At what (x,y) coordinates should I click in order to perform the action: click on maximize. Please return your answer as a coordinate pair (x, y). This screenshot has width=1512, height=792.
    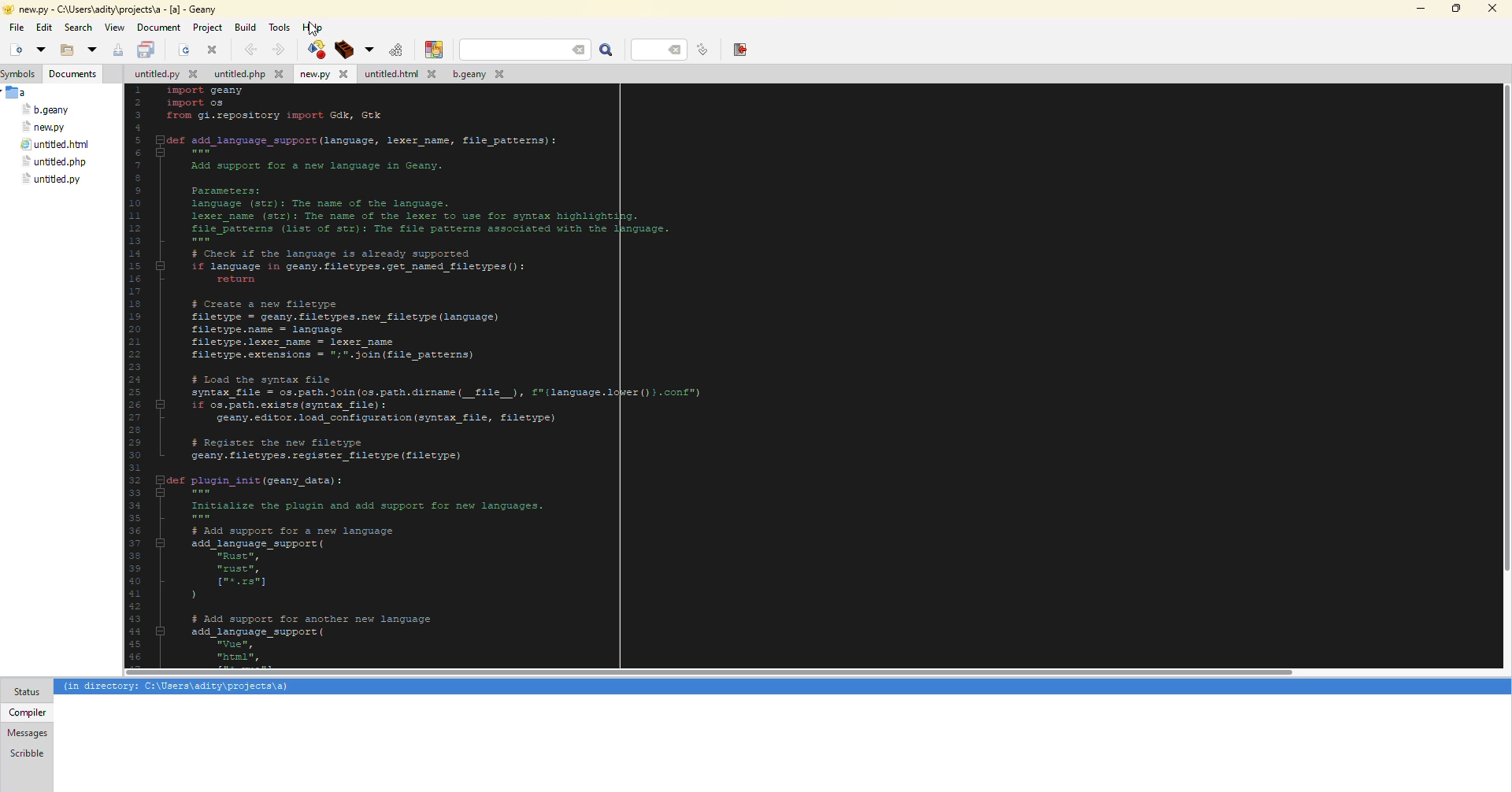
    Looking at the image, I should click on (1454, 9).